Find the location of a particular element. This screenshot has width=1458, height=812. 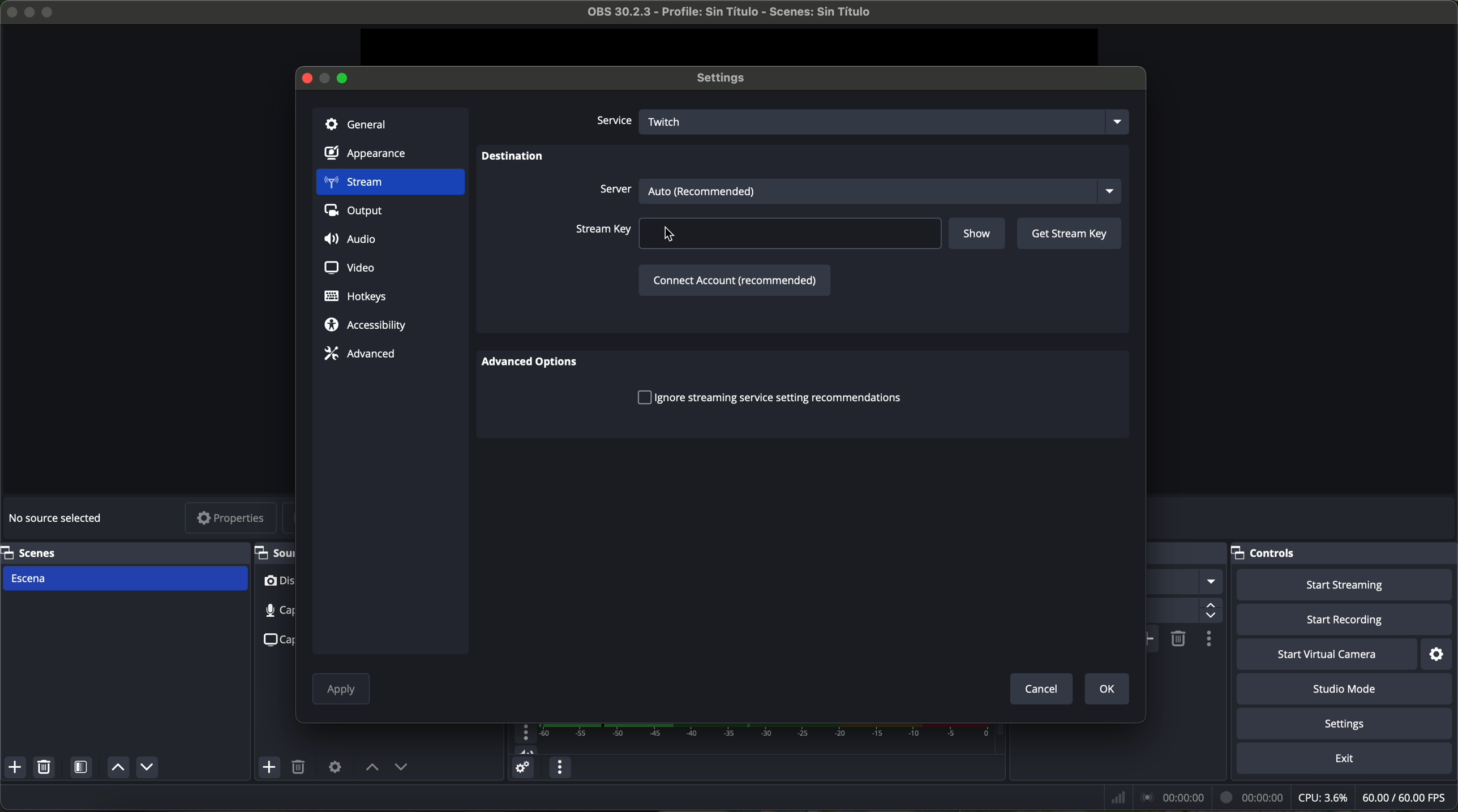

exit is located at coordinates (1346, 761).